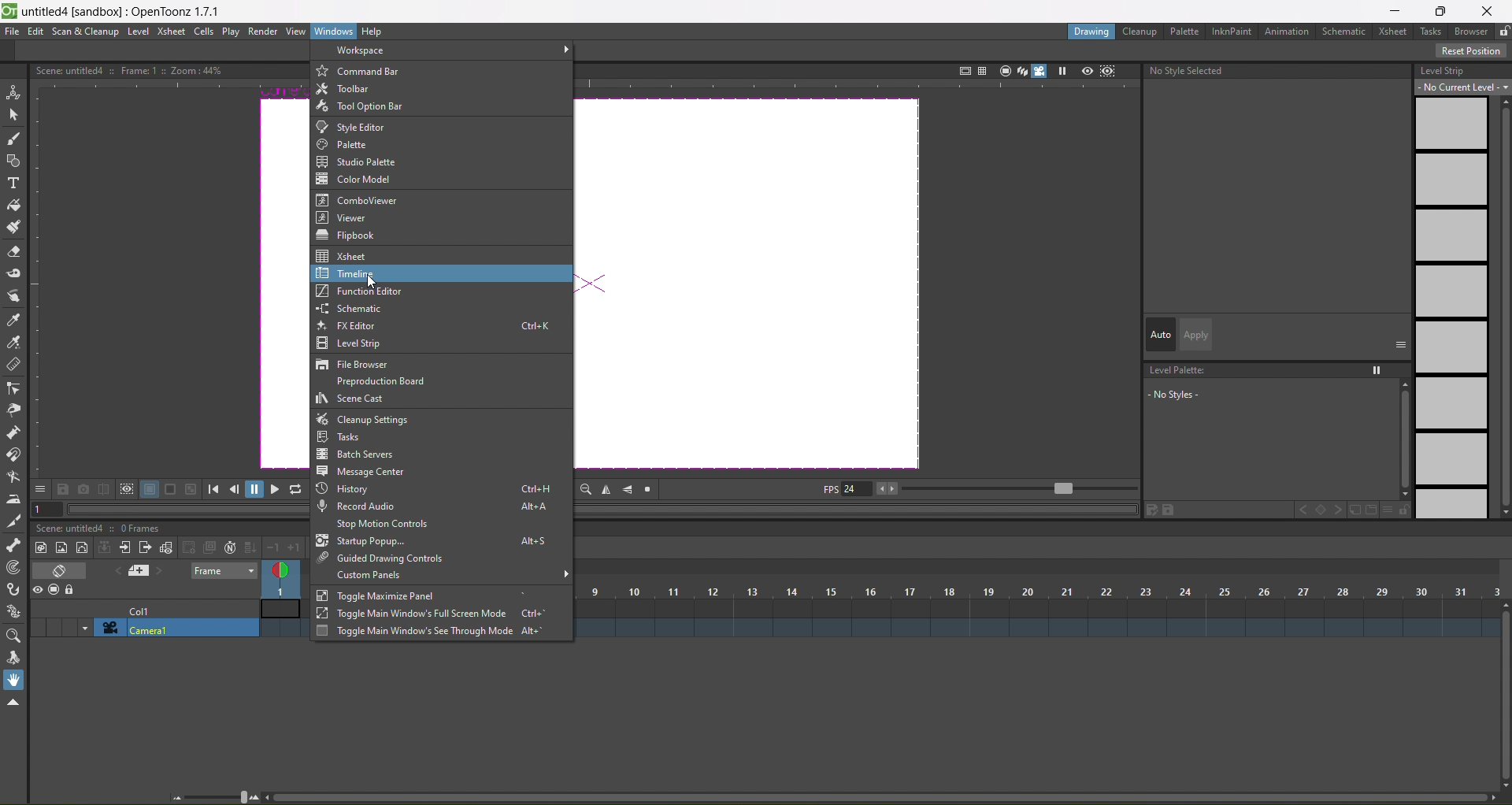 This screenshot has width=1512, height=805. What do you see at coordinates (1347, 32) in the screenshot?
I see `schematic` at bounding box center [1347, 32].